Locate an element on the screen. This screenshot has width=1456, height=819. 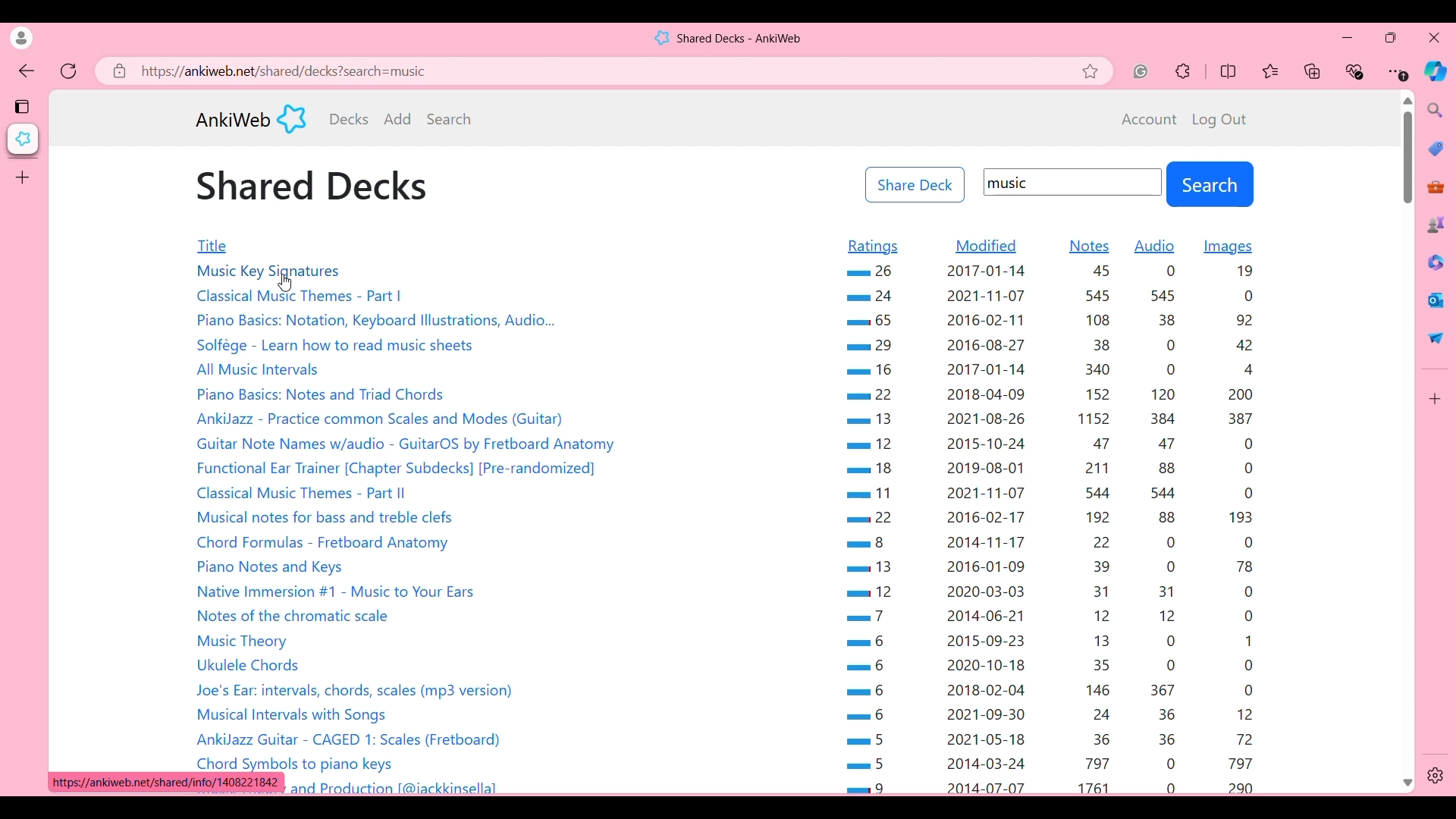
5 2021-05-18 36 36 Te is located at coordinates (1057, 740).